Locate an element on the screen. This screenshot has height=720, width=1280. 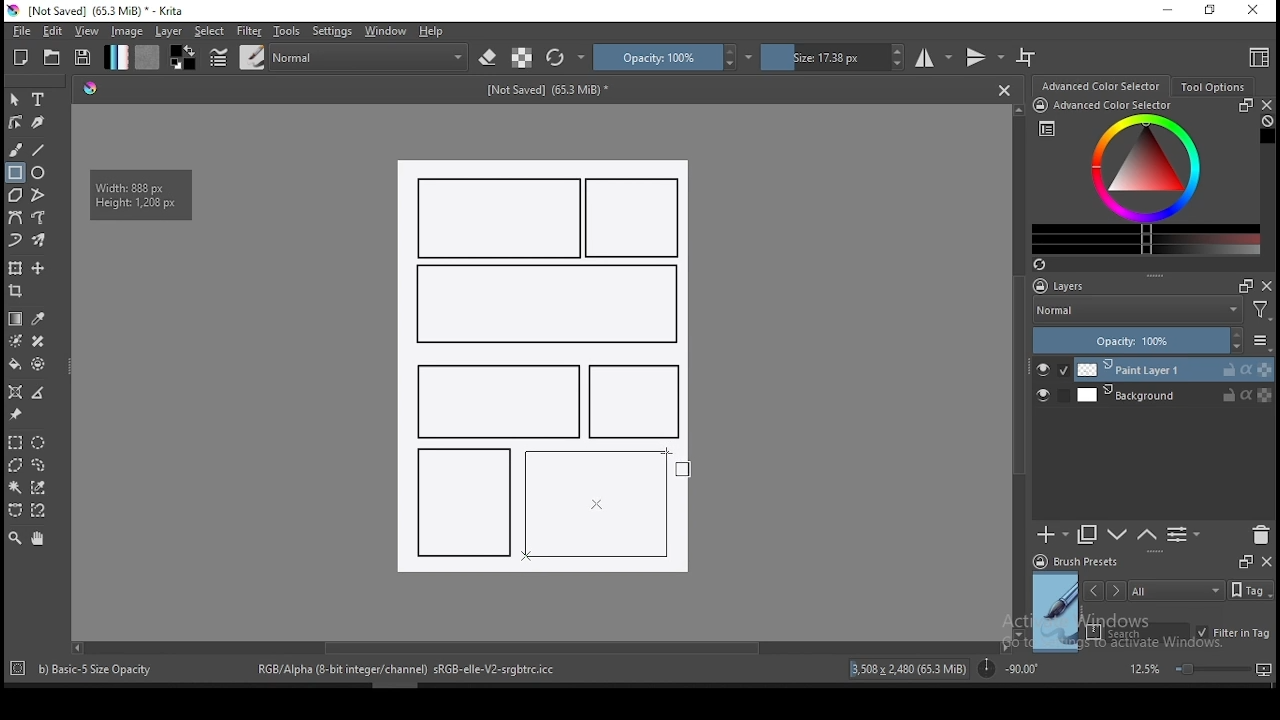
set eraser mode is located at coordinates (490, 58).